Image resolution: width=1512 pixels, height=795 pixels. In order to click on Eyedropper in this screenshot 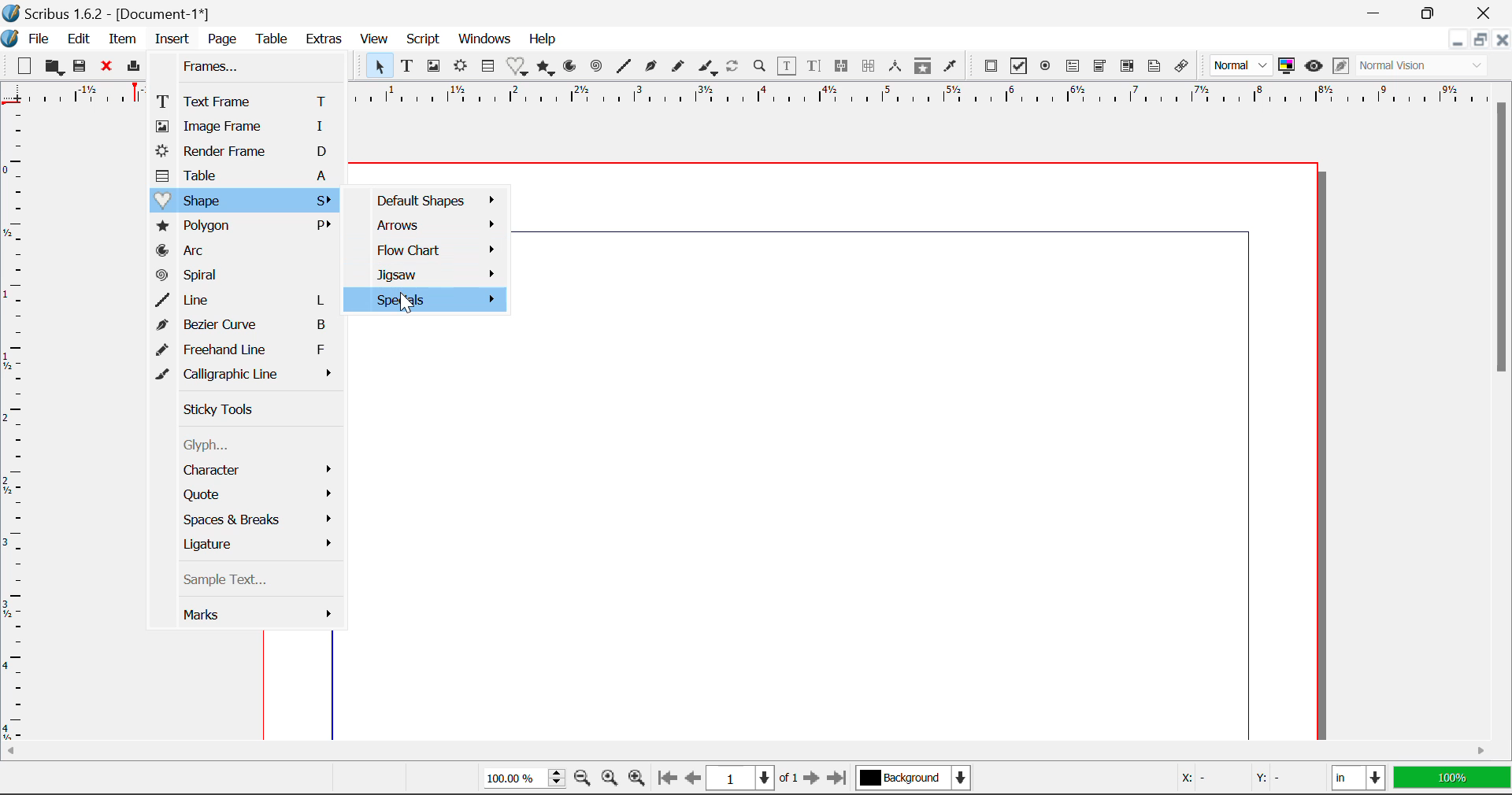, I will do `click(951, 66)`.